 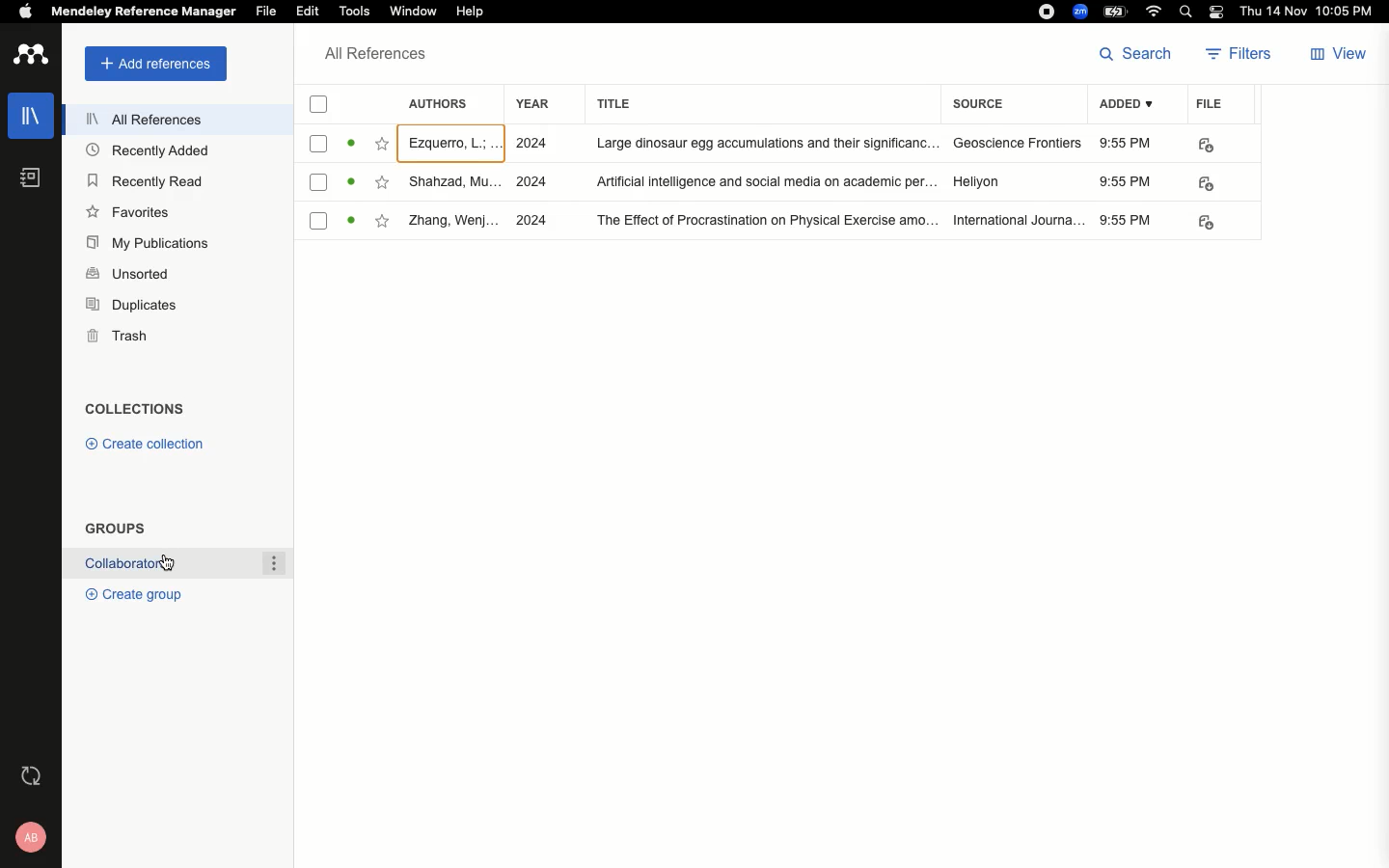 I want to click on Collaborations, so click(x=181, y=566).